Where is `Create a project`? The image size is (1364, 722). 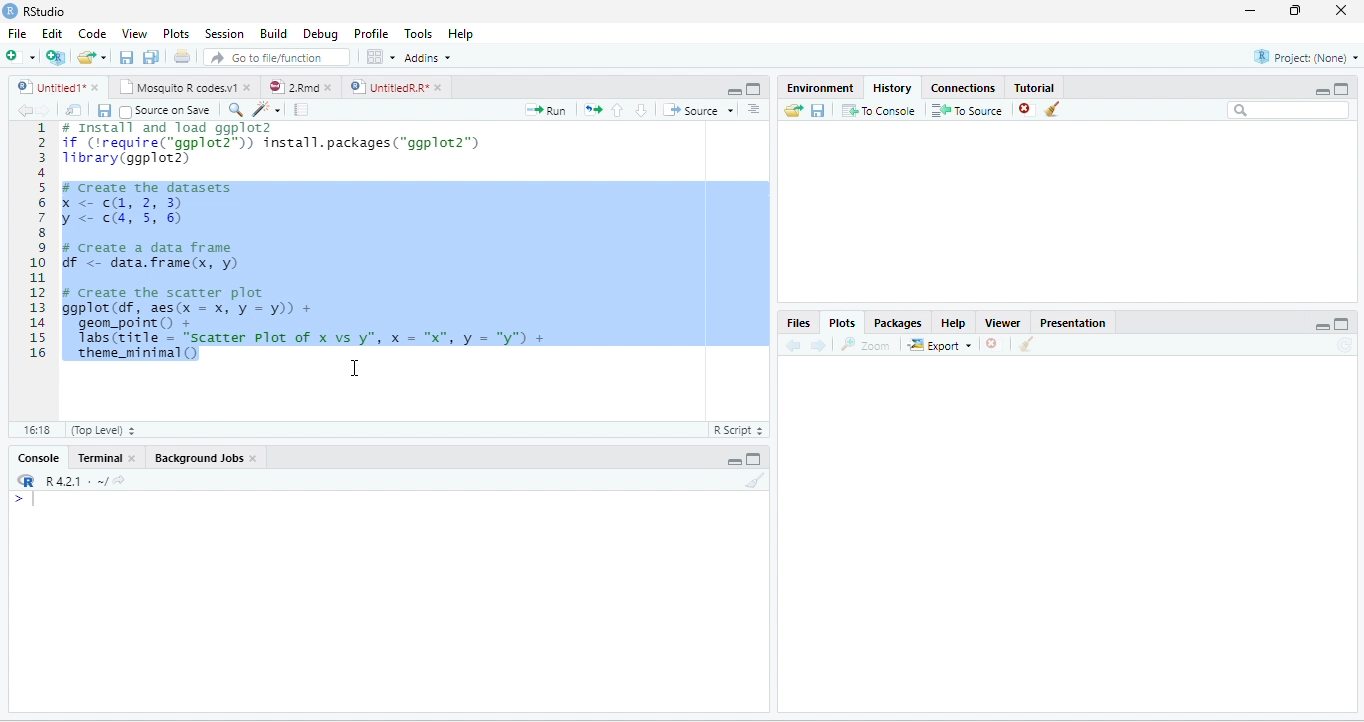
Create a project is located at coordinates (57, 55).